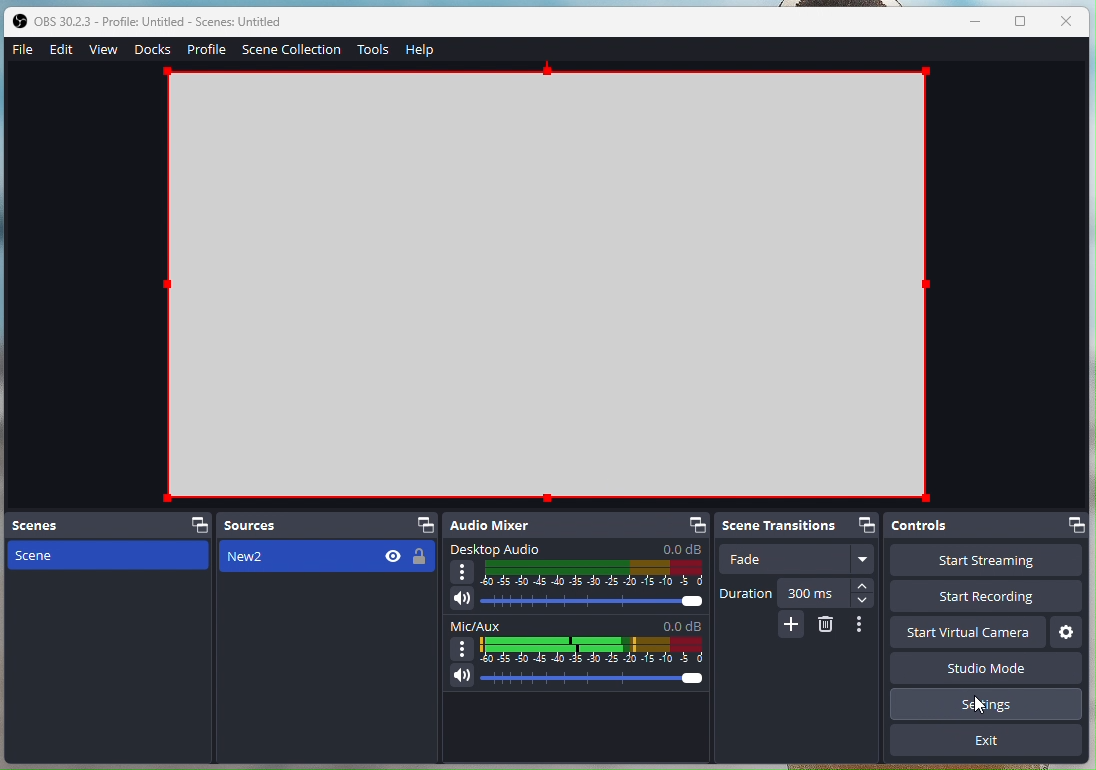 This screenshot has height=770, width=1096. What do you see at coordinates (20, 20) in the screenshot?
I see `OBS studio logo` at bounding box center [20, 20].